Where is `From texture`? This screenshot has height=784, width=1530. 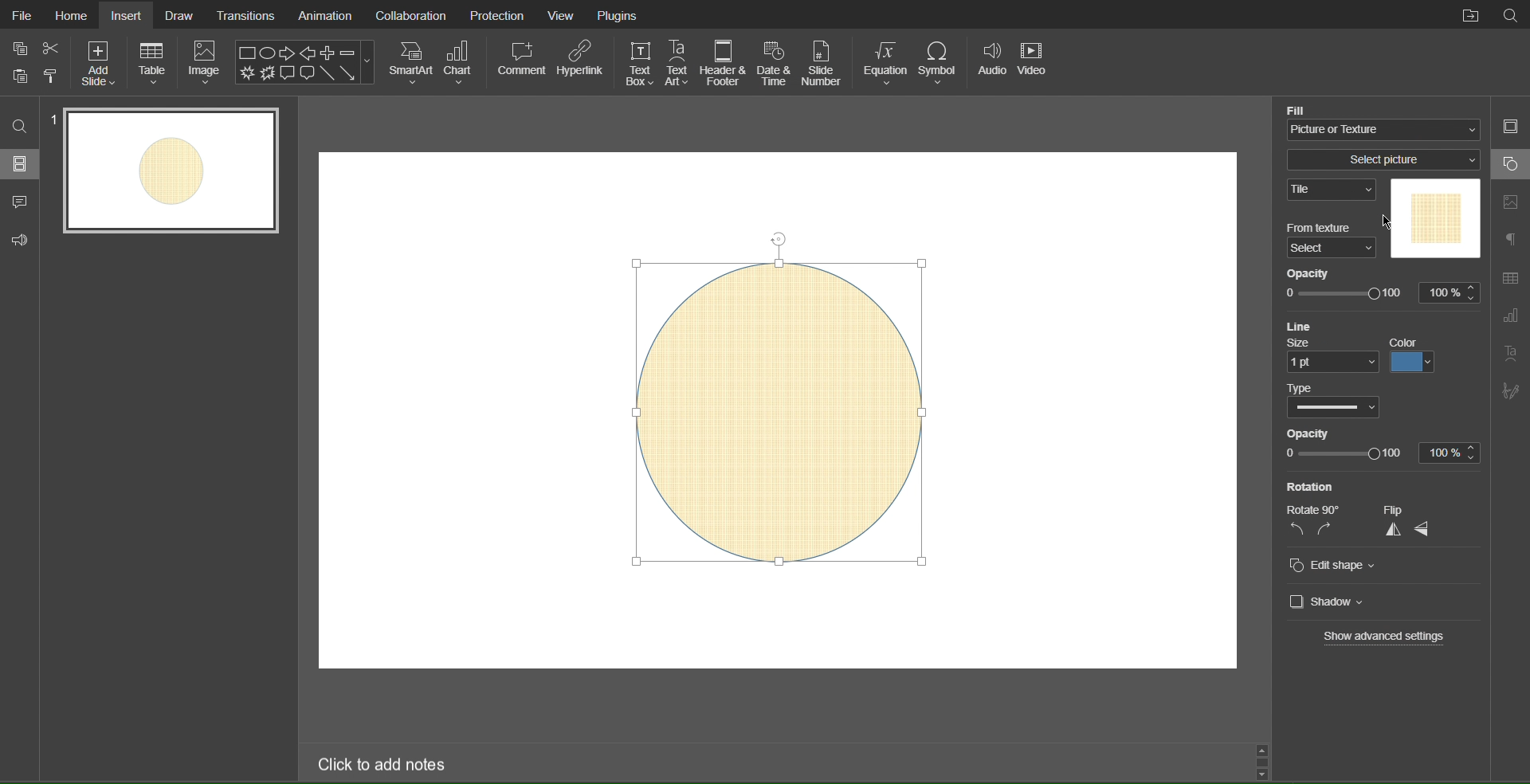 From texture is located at coordinates (1331, 228).